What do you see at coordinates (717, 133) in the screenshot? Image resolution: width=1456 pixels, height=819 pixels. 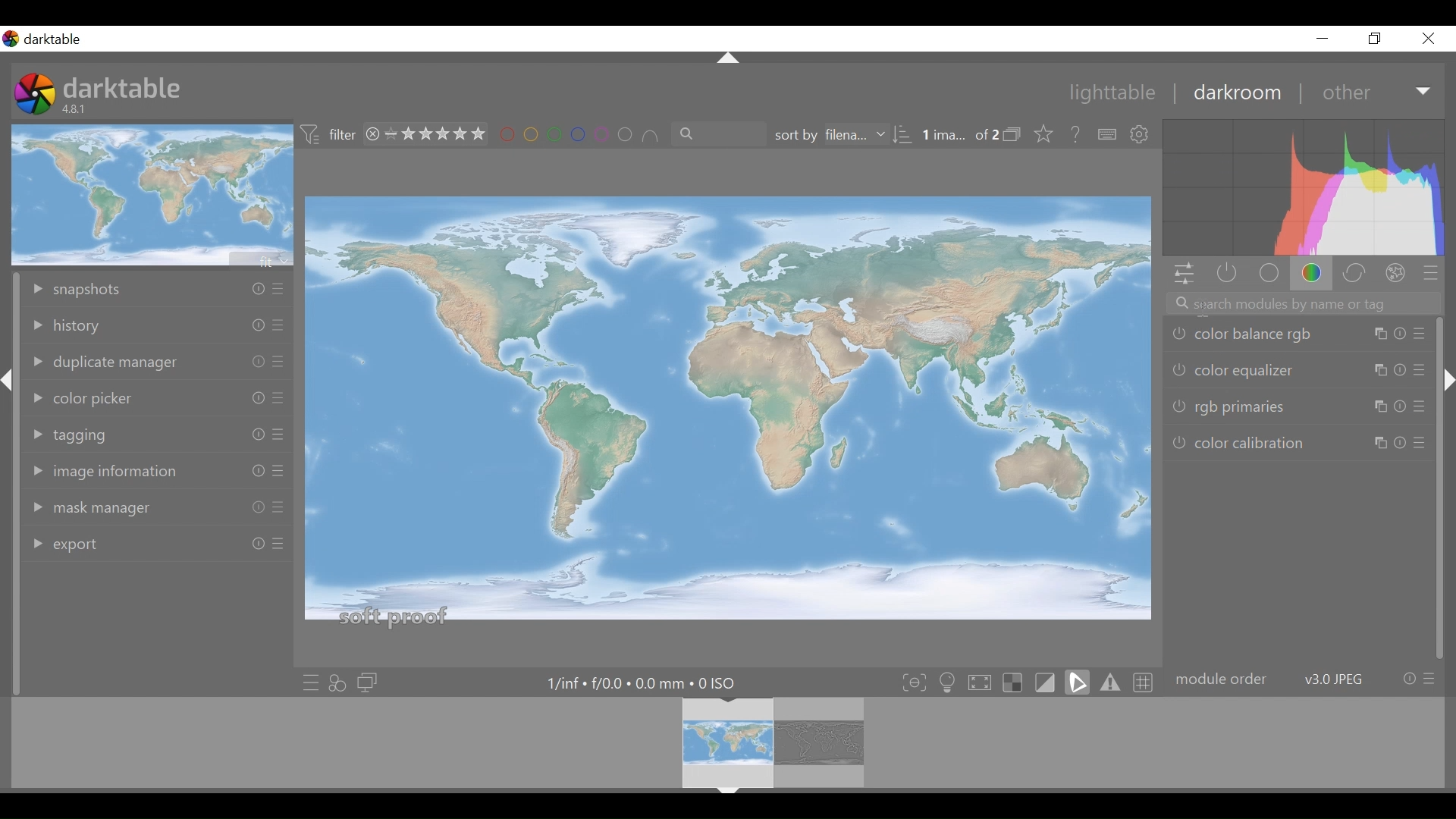 I see `filter by text from images` at bounding box center [717, 133].